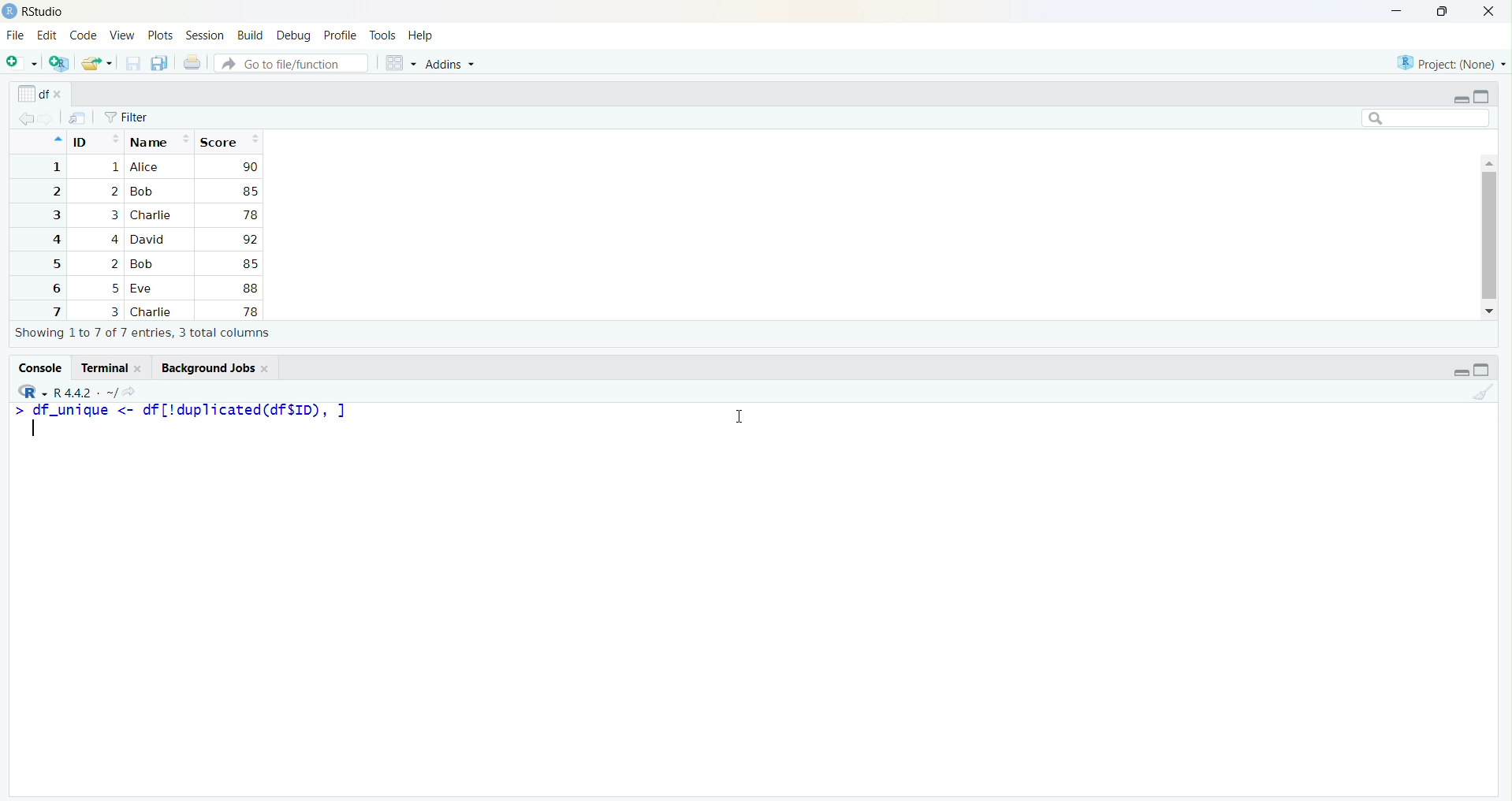 The height and width of the screenshot is (801, 1512). What do you see at coordinates (61, 95) in the screenshot?
I see `close` at bounding box center [61, 95].